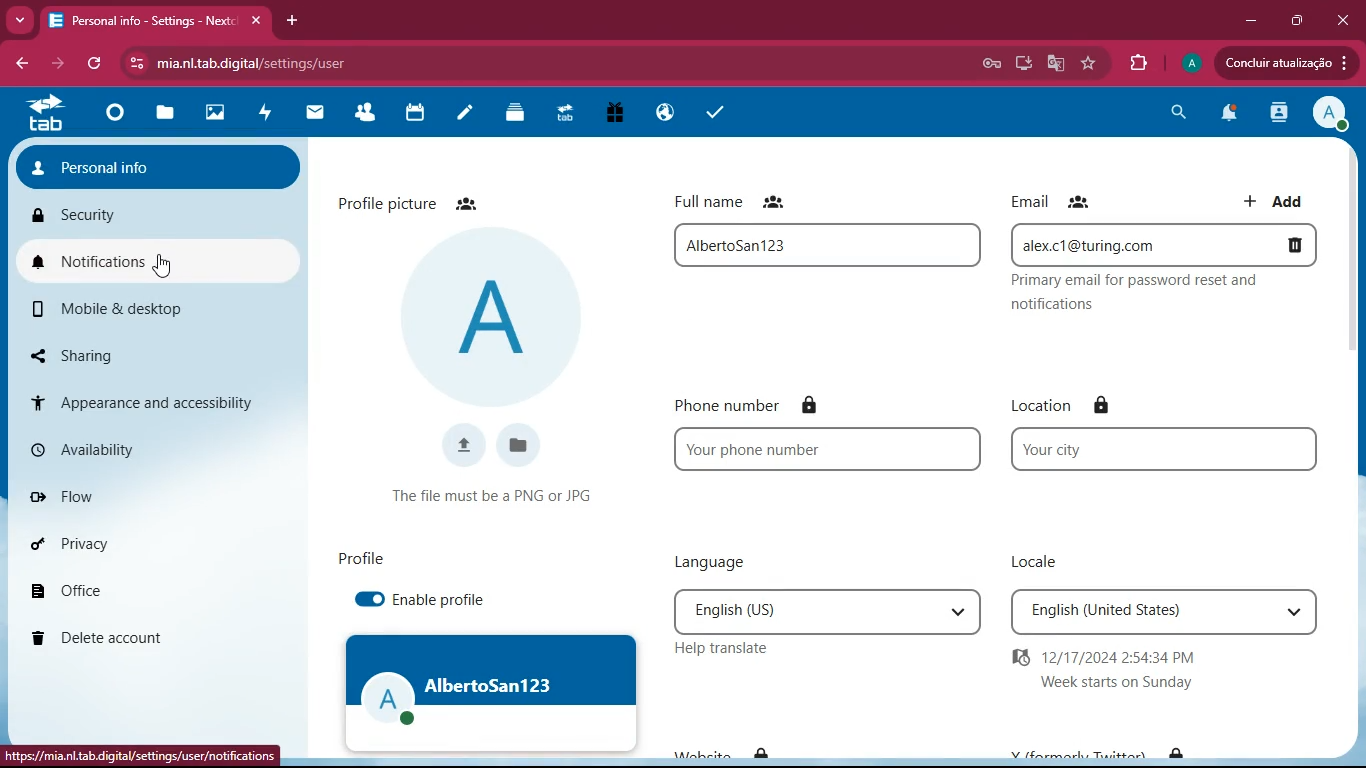 Image resolution: width=1366 pixels, height=768 pixels. I want to click on notifications, so click(160, 261).